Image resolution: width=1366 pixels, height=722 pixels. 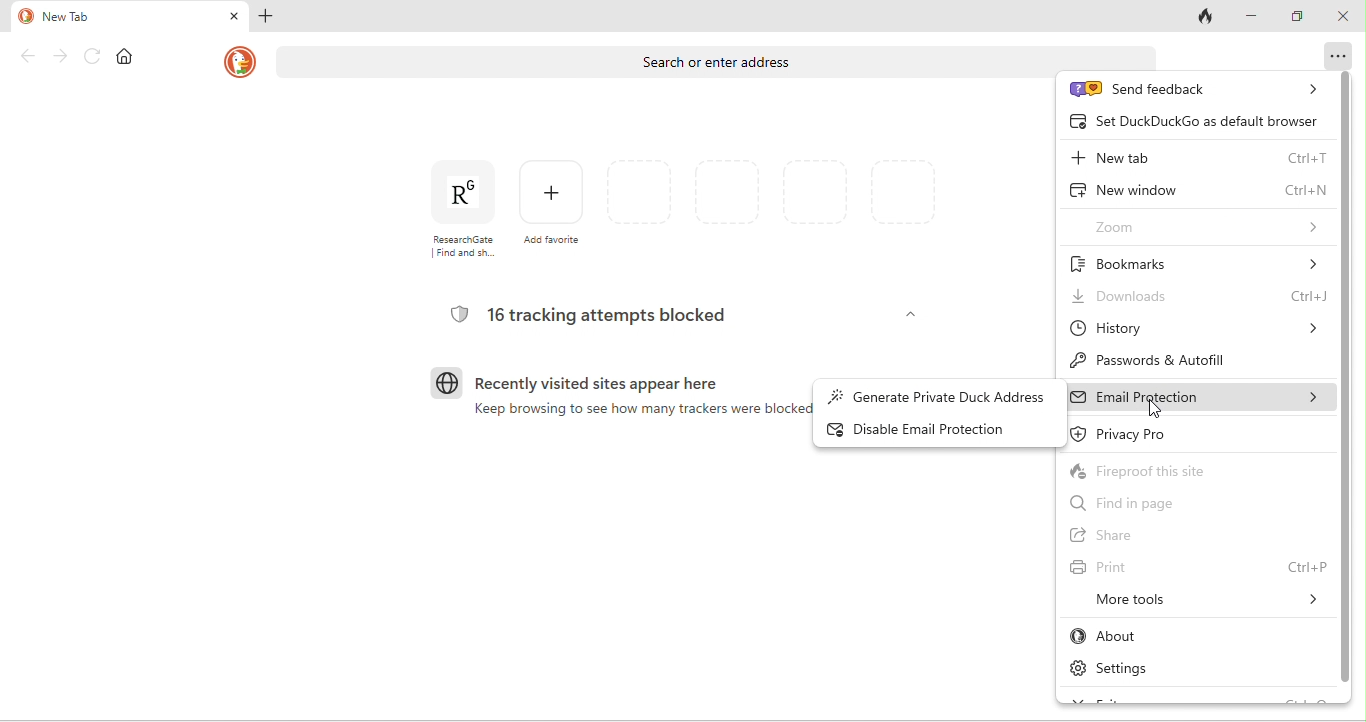 I want to click on maximize, so click(x=1302, y=18).